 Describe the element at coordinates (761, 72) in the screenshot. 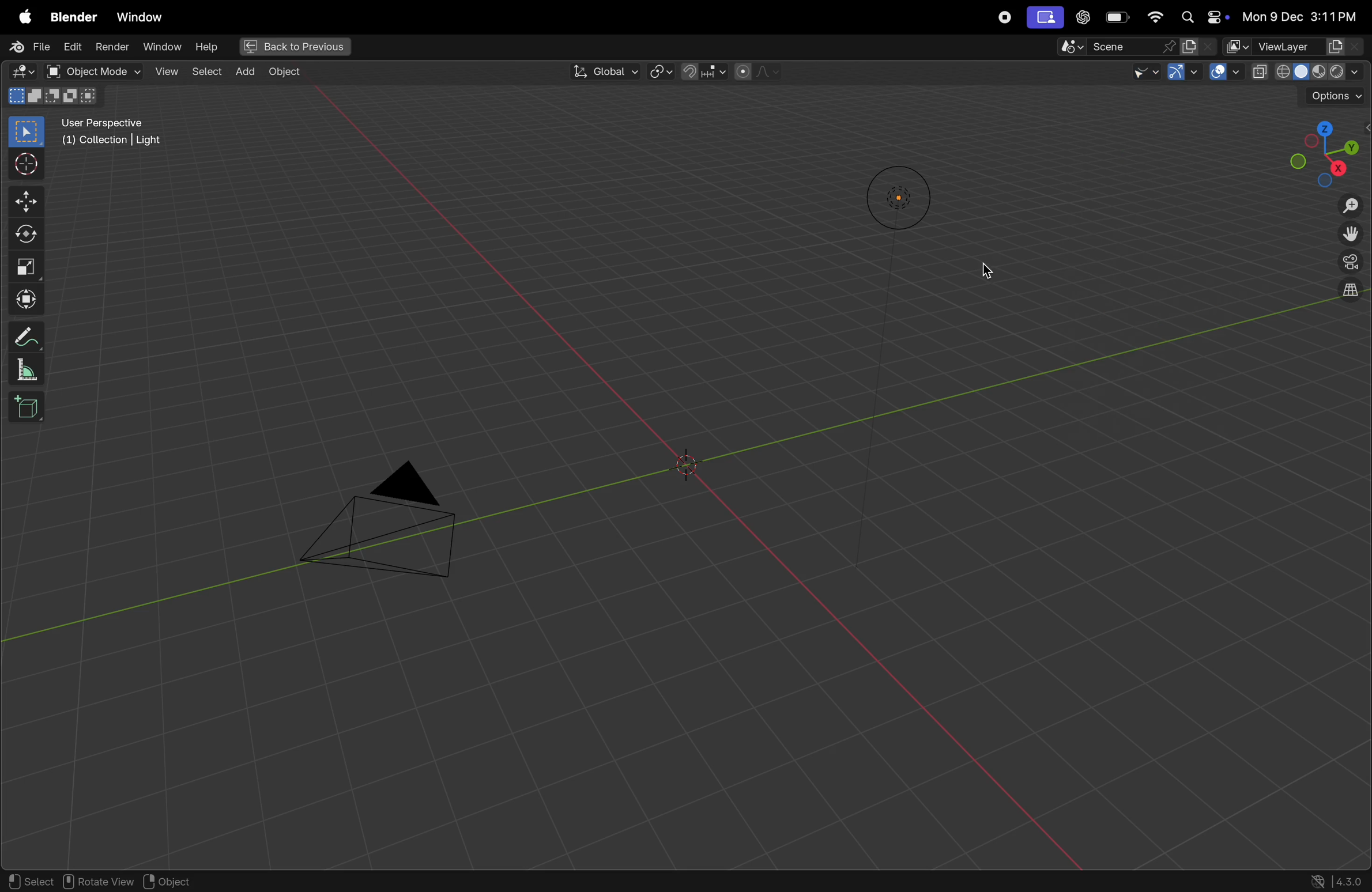

I see `falloff` at that location.